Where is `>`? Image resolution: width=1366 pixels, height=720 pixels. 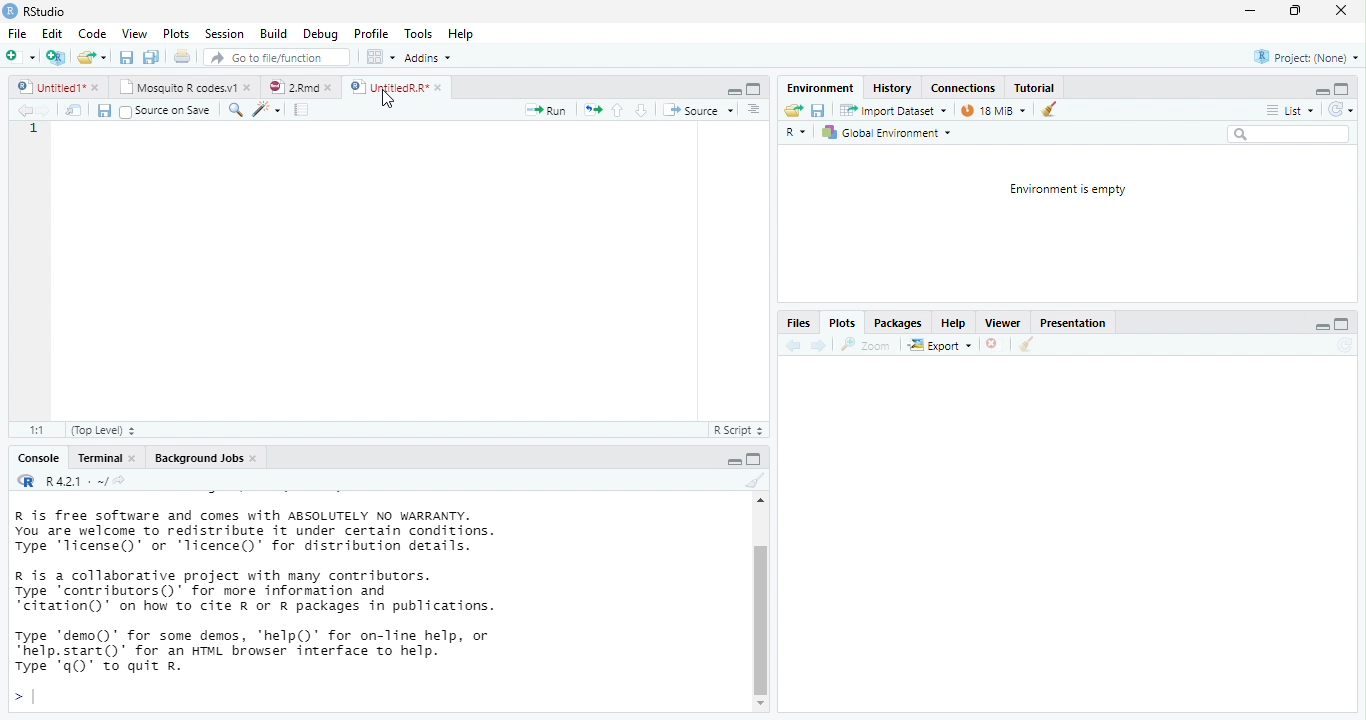 > is located at coordinates (23, 698).